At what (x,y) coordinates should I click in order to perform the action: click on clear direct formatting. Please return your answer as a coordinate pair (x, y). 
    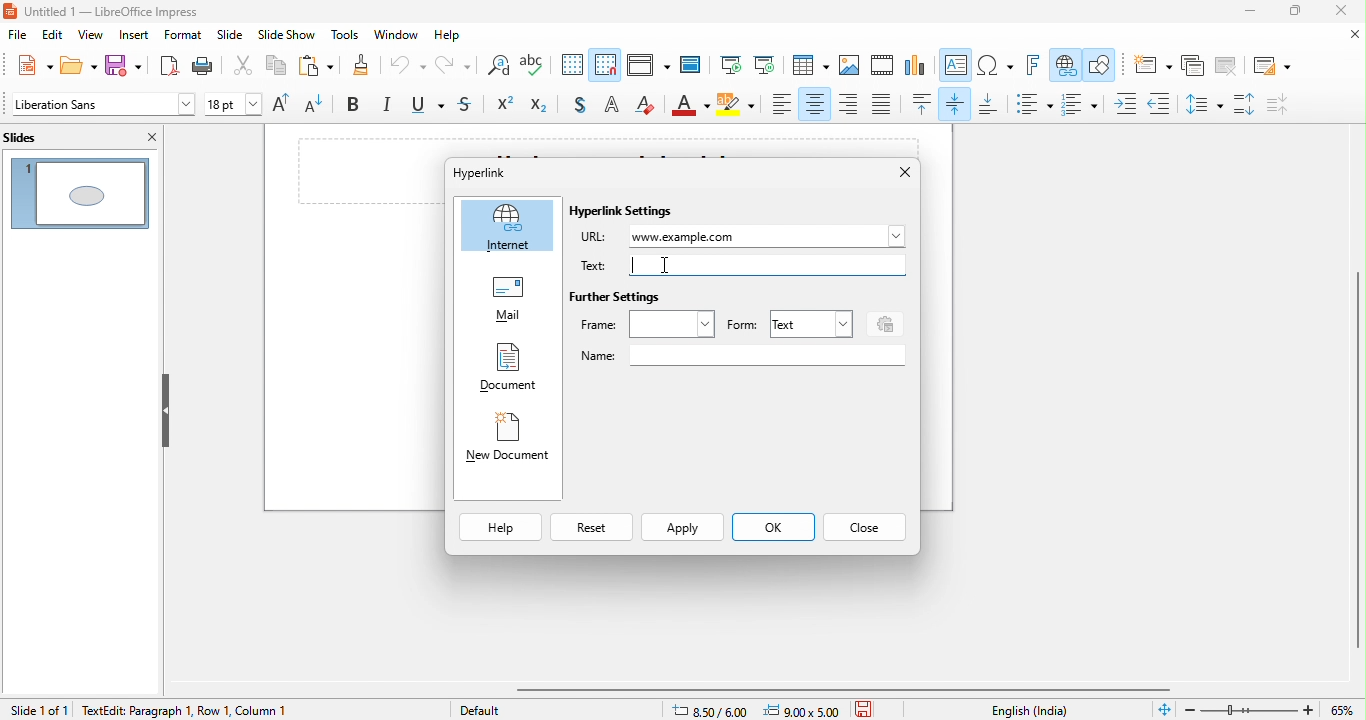
    Looking at the image, I should click on (647, 106).